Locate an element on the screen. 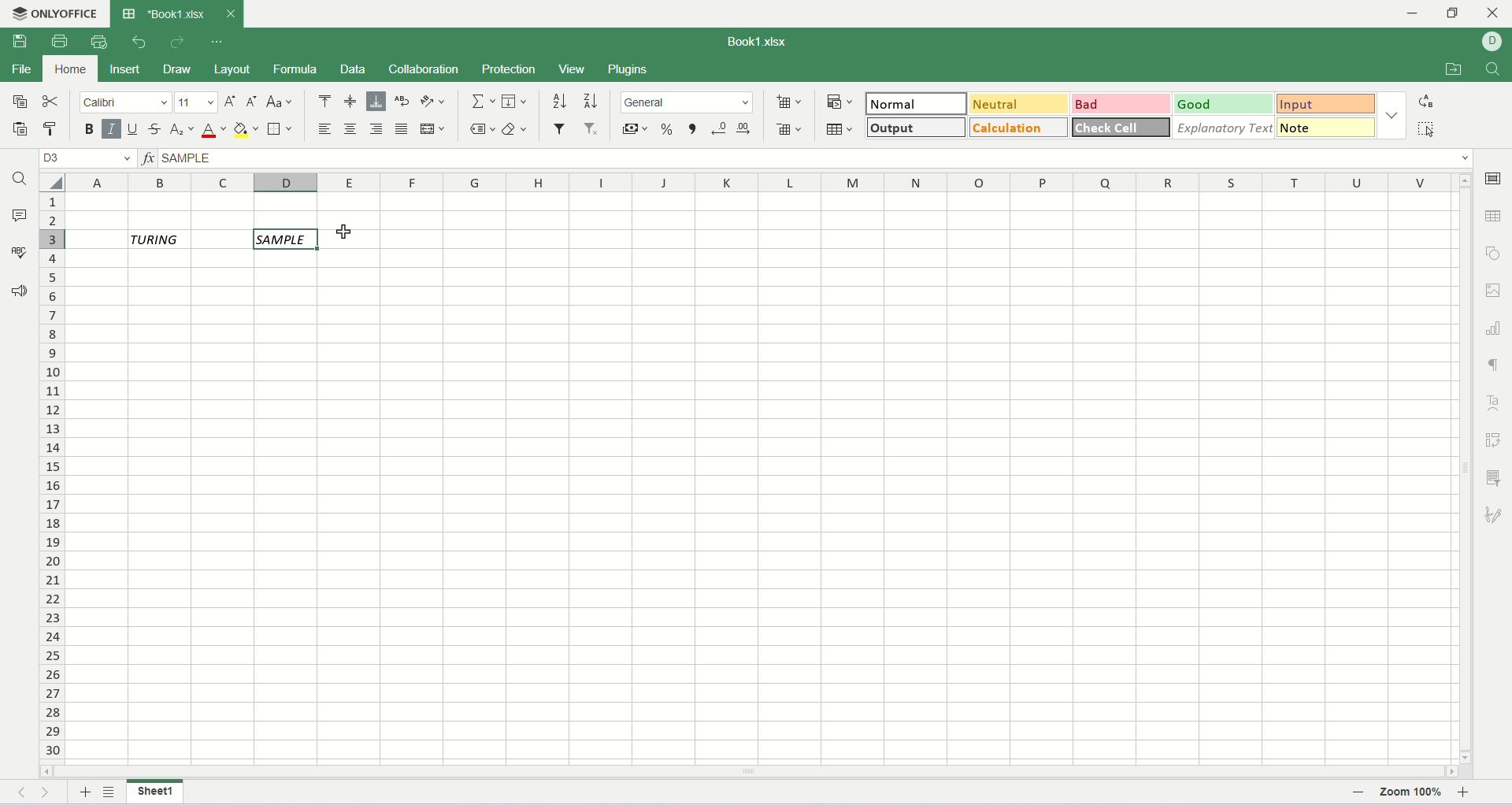  bold is located at coordinates (90, 130).